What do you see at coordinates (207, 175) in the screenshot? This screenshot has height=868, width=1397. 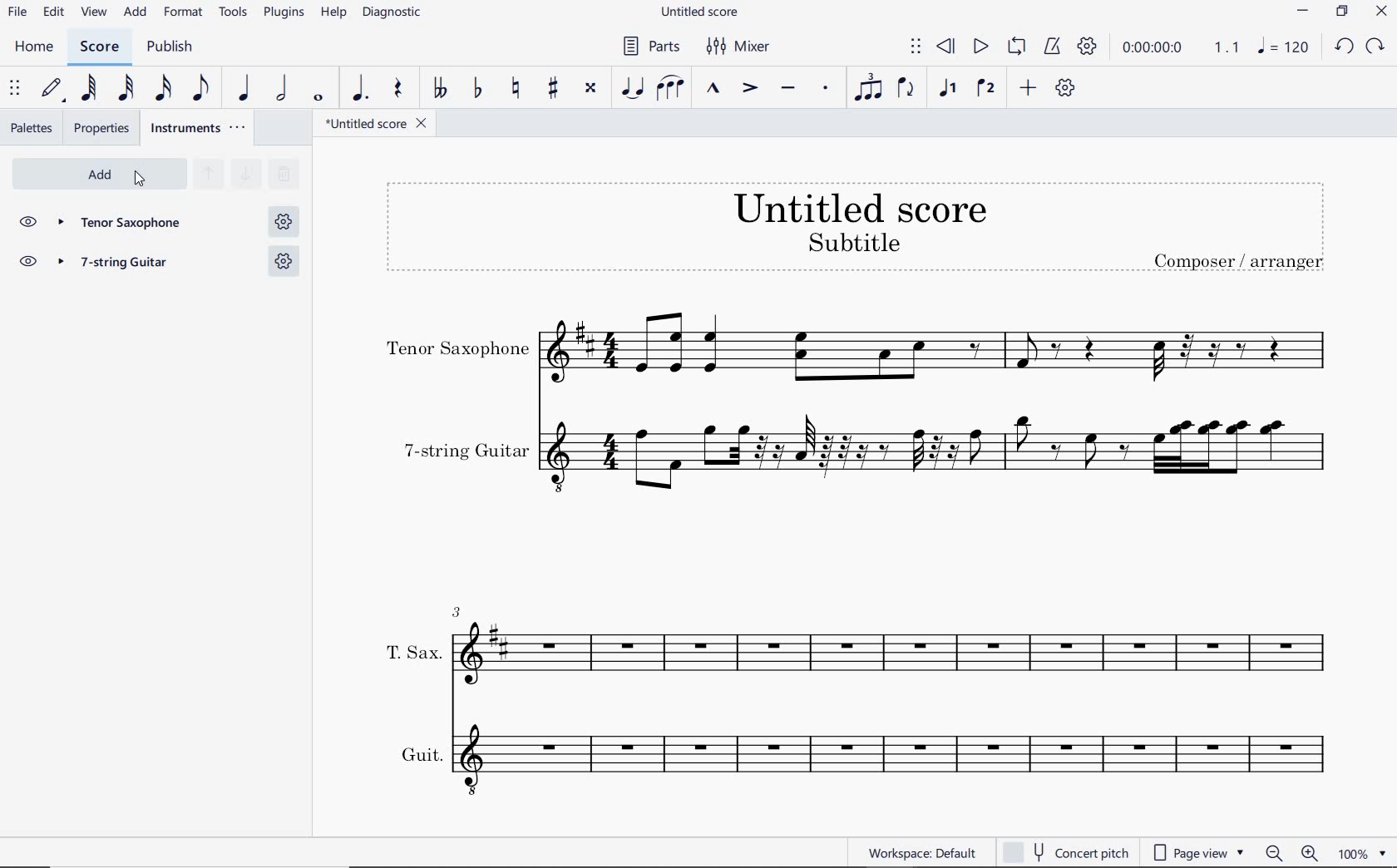 I see `up` at bounding box center [207, 175].